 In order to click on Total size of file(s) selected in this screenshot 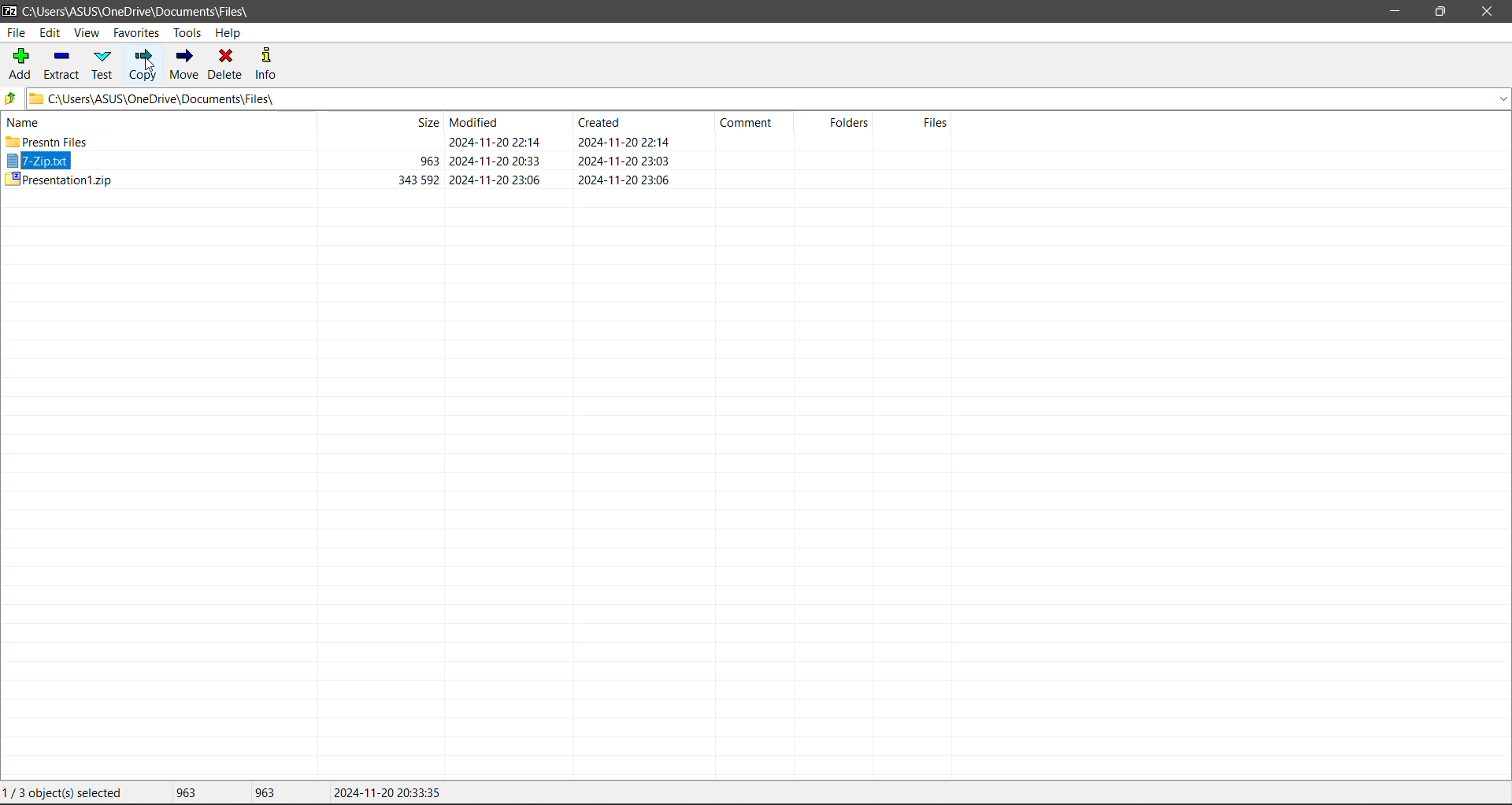, I will do `click(182, 793)`.